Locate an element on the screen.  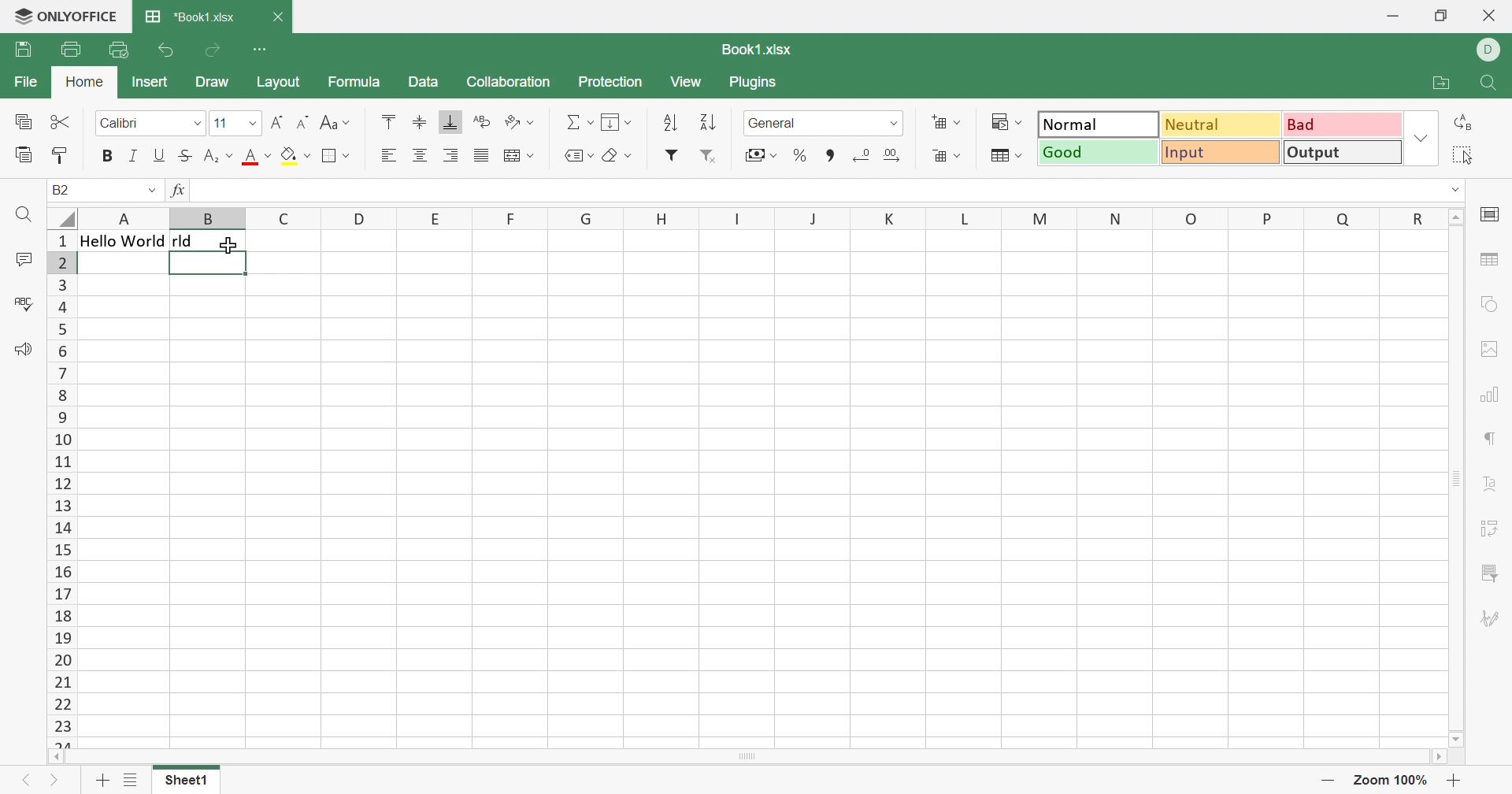
Align center is located at coordinates (420, 154).